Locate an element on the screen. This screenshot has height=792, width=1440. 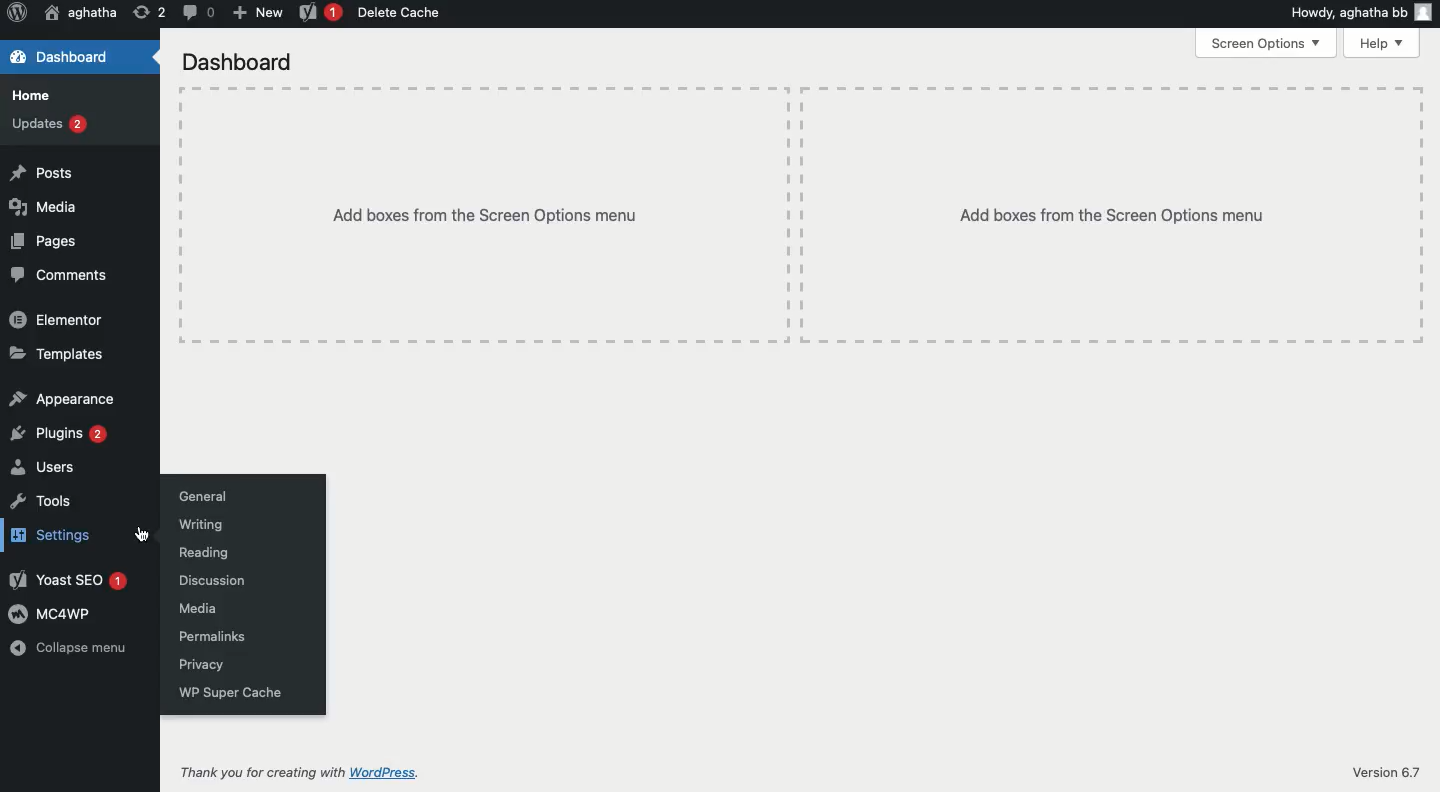
New is located at coordinates (254, 12).